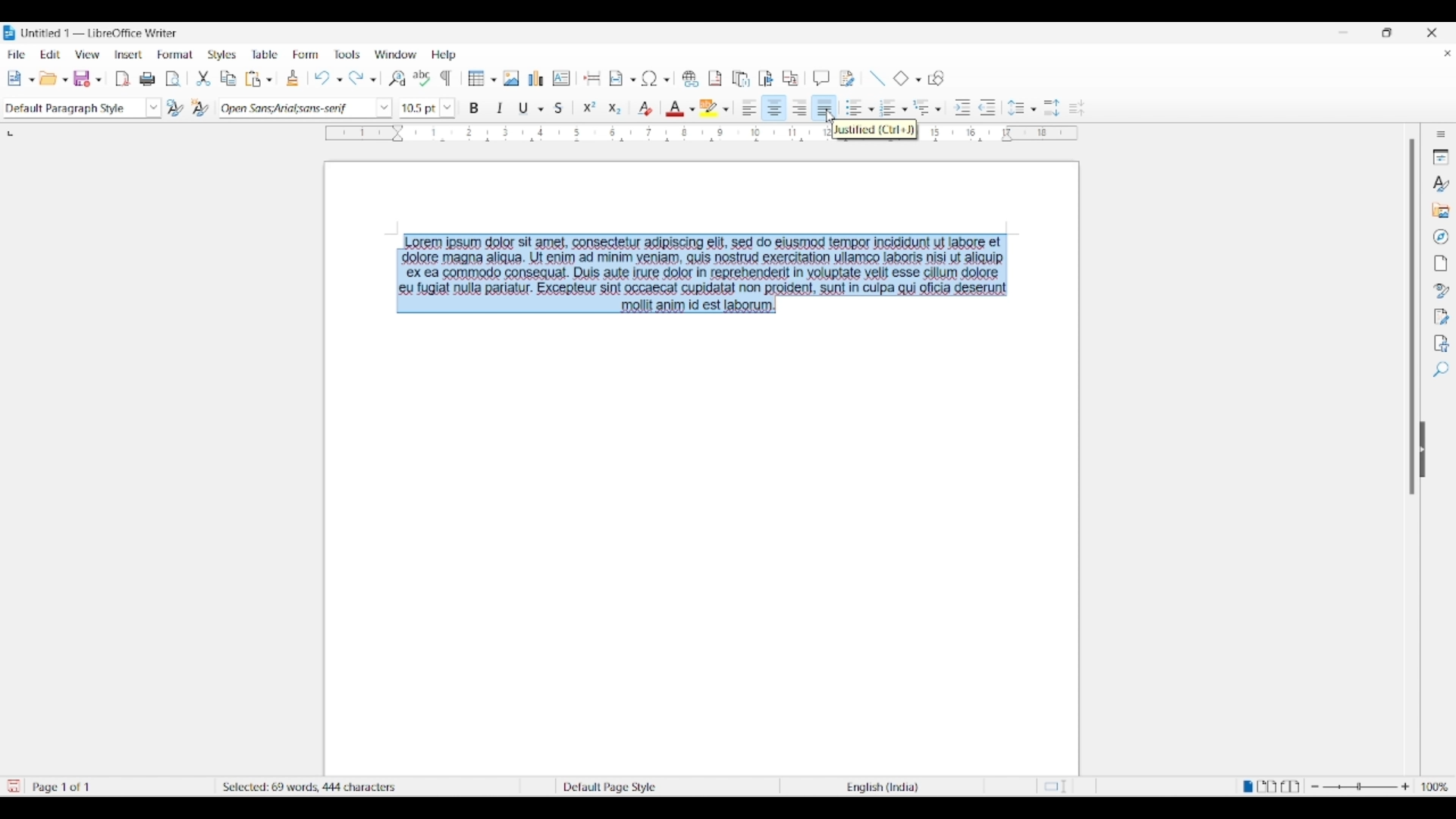  What do you see at coordinates (615, 109) in the screenshot?
I see `Subscript` at bounding box center [615, 109].